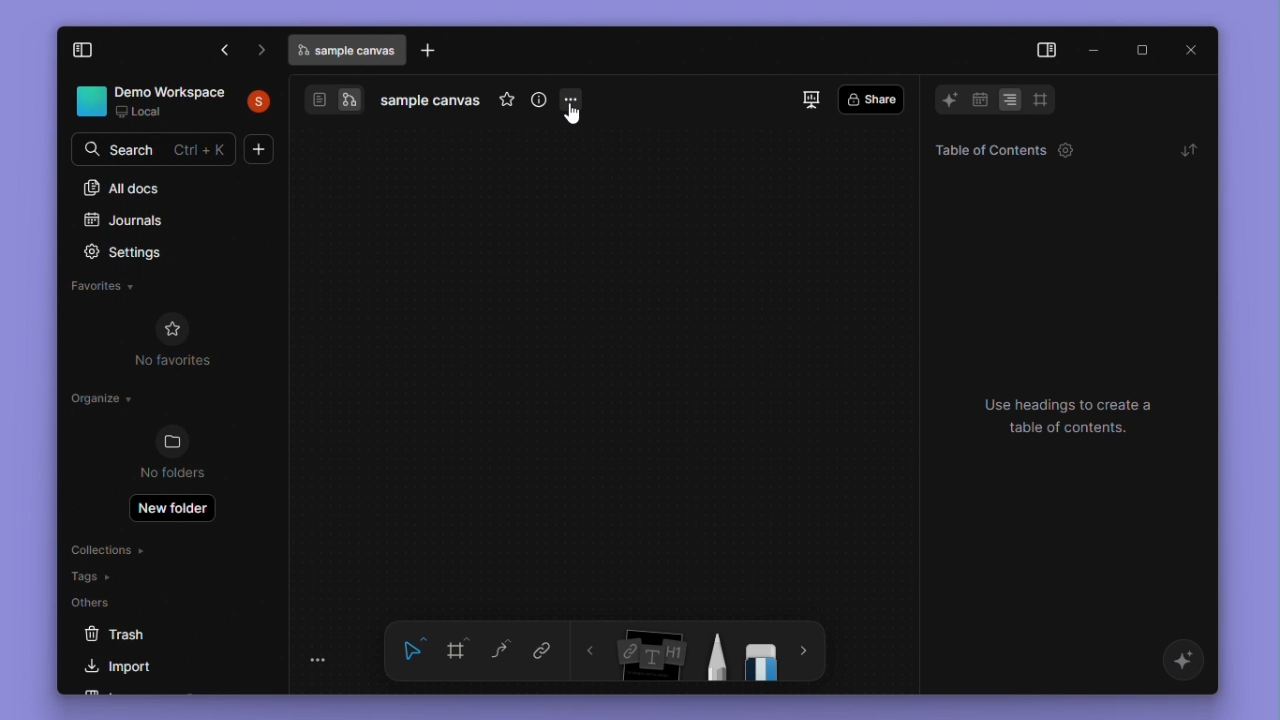 This screenshot has width=1280, height=720. What do you see at coordinates (123, 188) in the screenshot?
I see `All dogs` at bounding box center [123, 188].